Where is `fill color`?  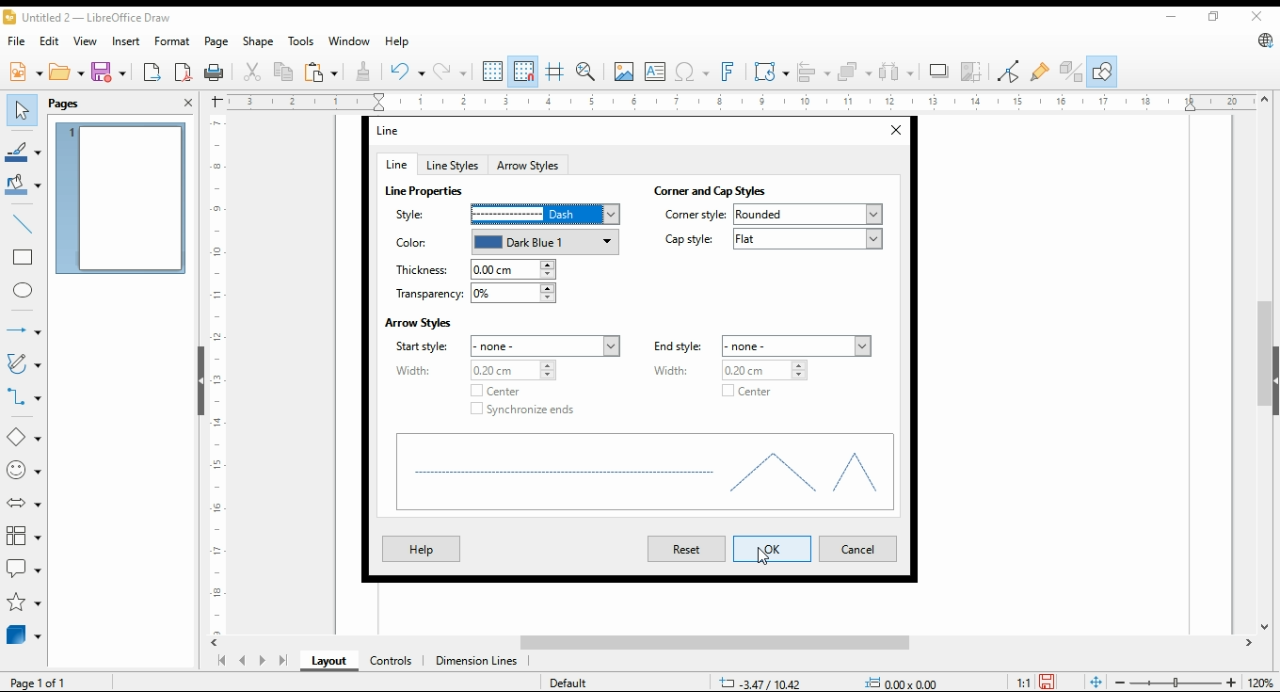
fill color is located at coordinates (23, 183).